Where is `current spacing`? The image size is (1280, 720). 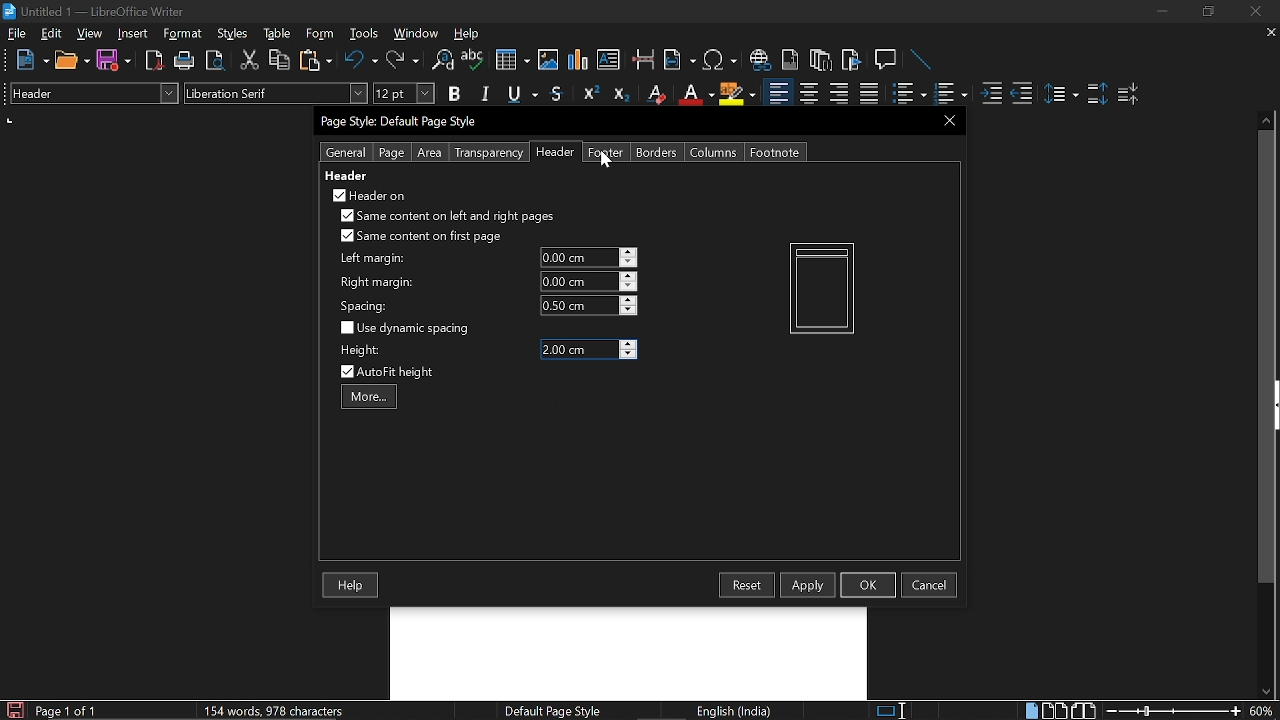 current spacing is located at coordinates (578, 305).